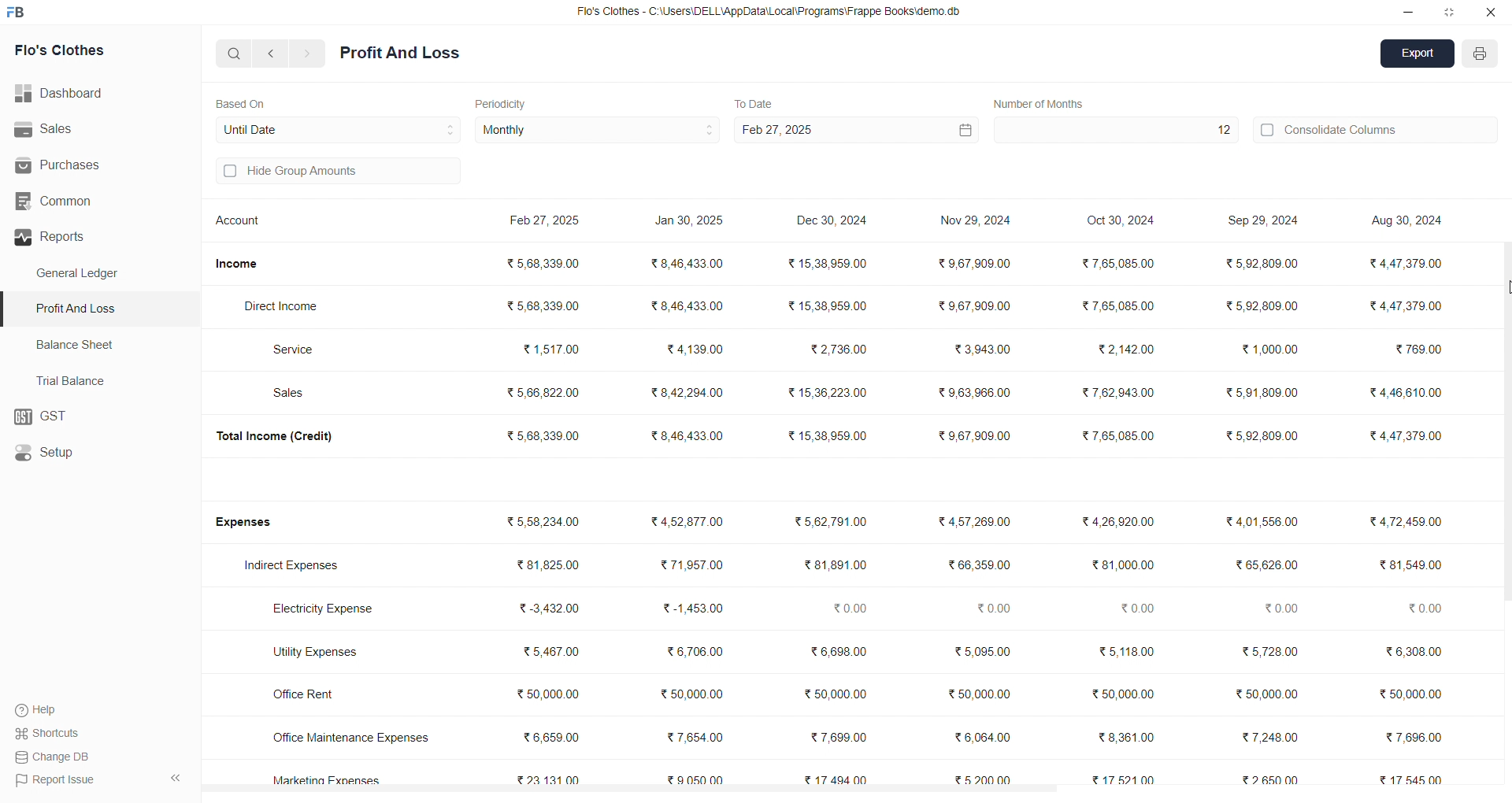 The image size is (1512, 803). I want to click on ₹6,064.00, so click(983, 735).